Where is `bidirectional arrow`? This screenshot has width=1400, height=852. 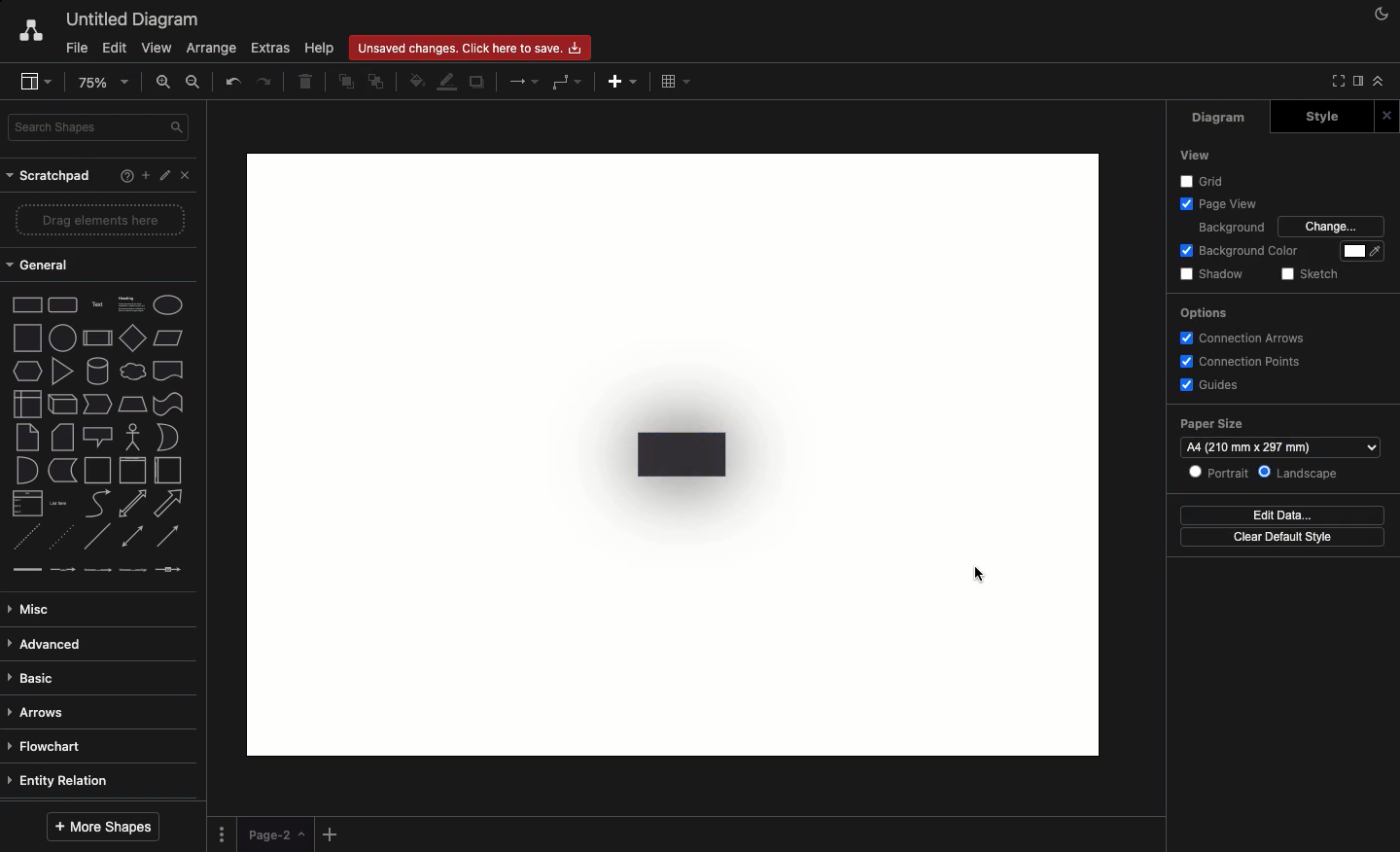 bidirectional arrow is located at coordinates (133, 505).